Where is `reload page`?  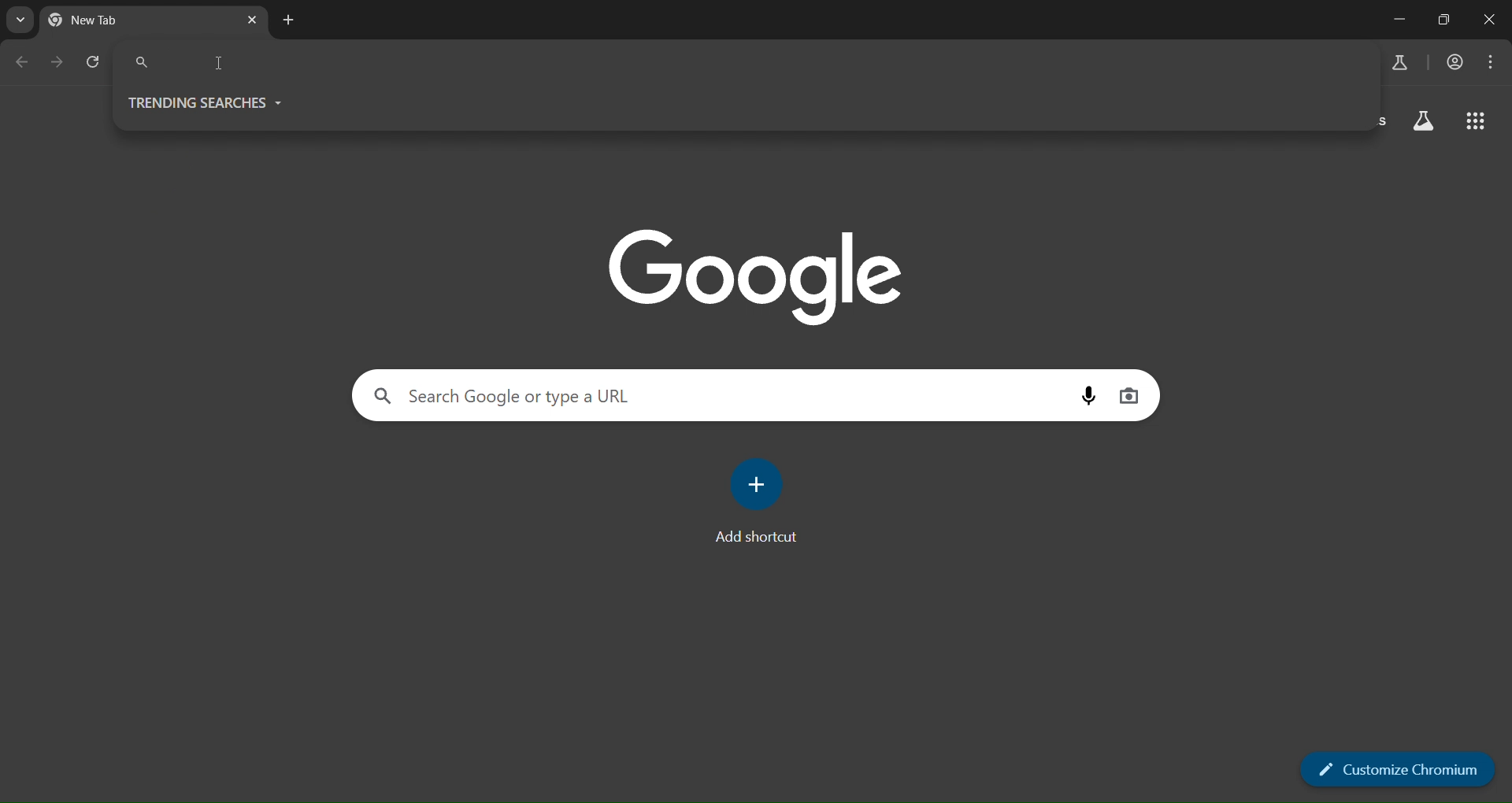
reload page is located at coordinates (95, 62).